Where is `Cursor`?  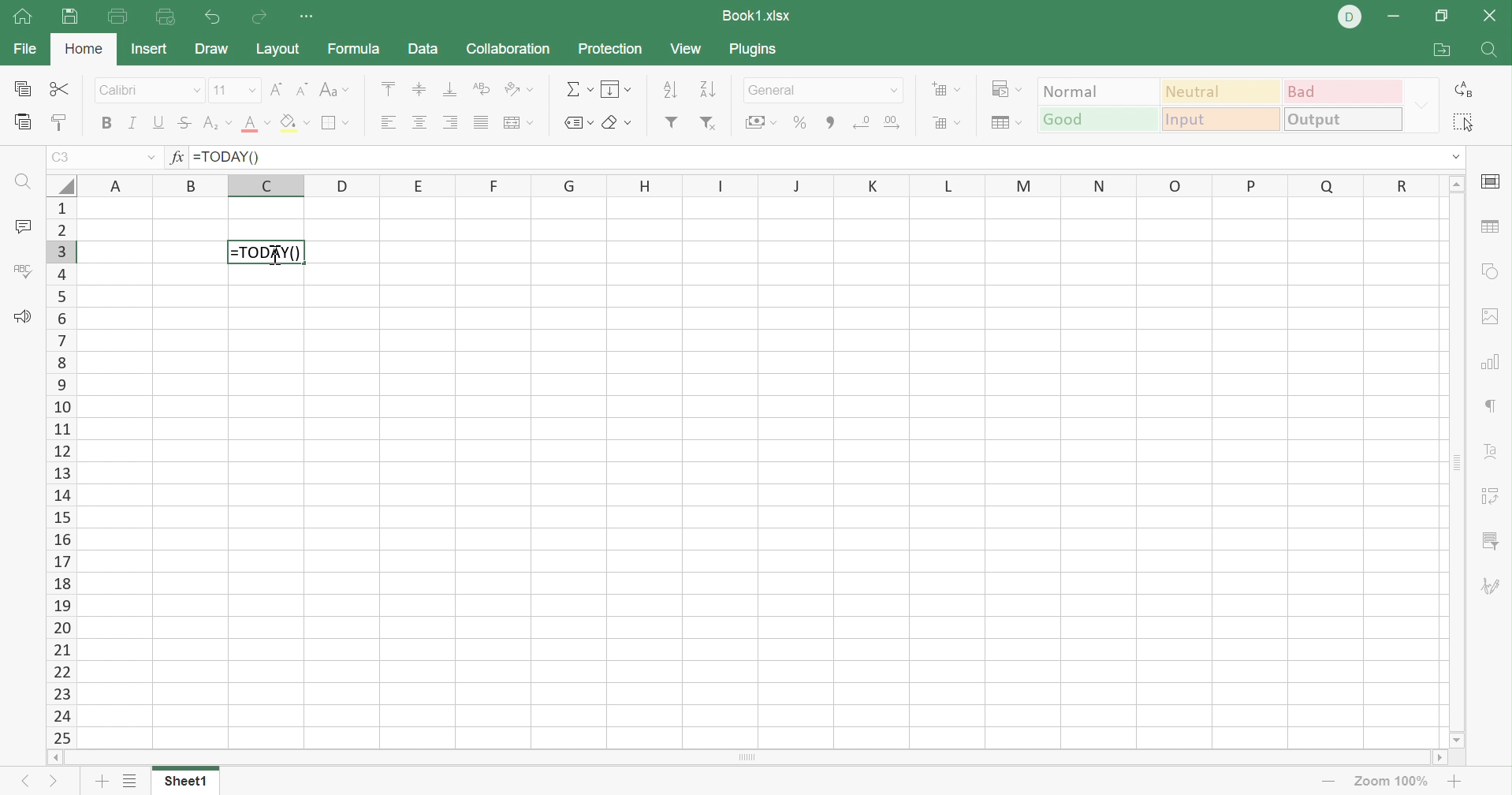
Cursor is located at coordinates (277, 256).